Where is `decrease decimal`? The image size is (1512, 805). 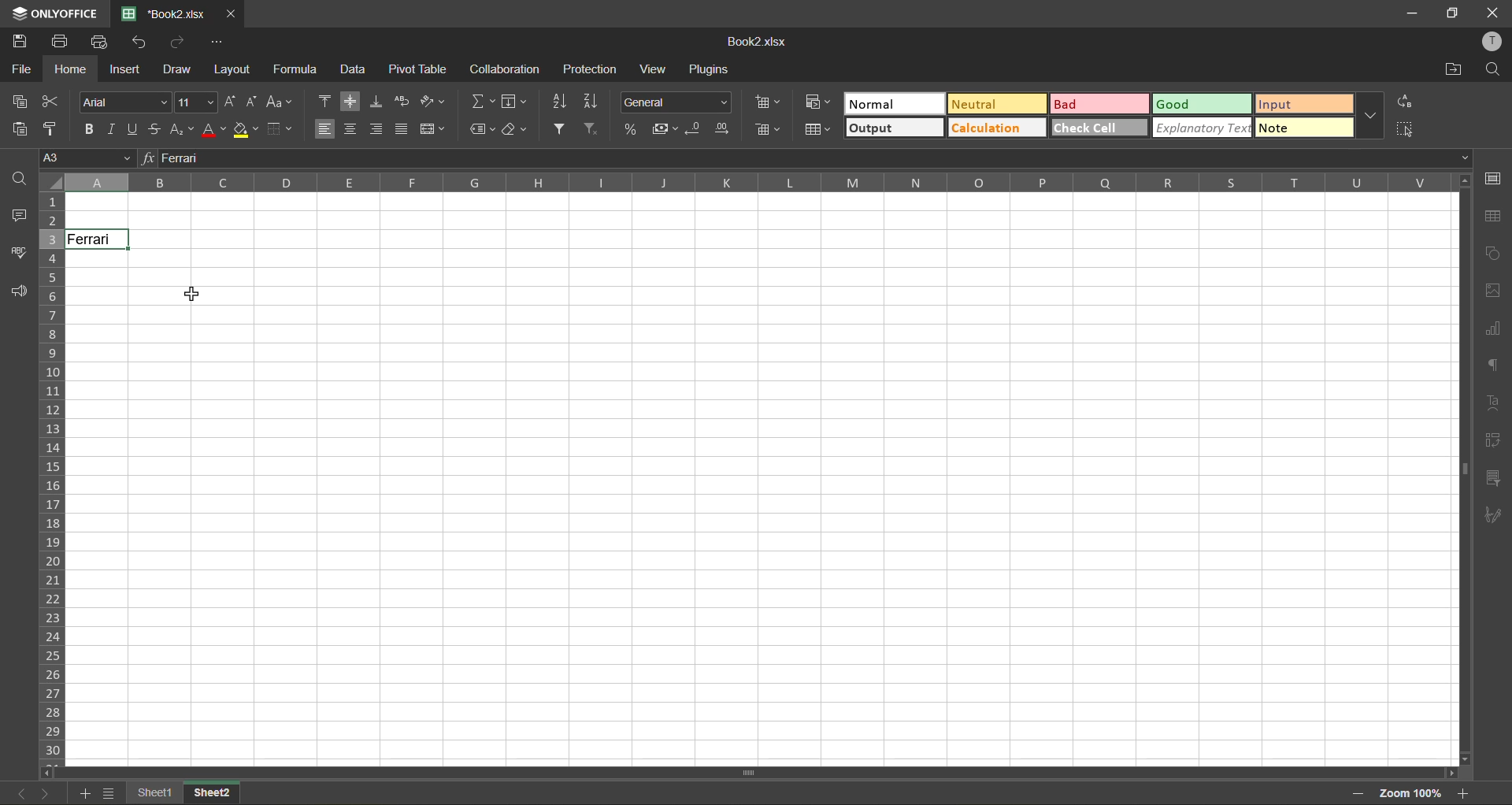 decrease decimal is located at coordinates (691, 128).